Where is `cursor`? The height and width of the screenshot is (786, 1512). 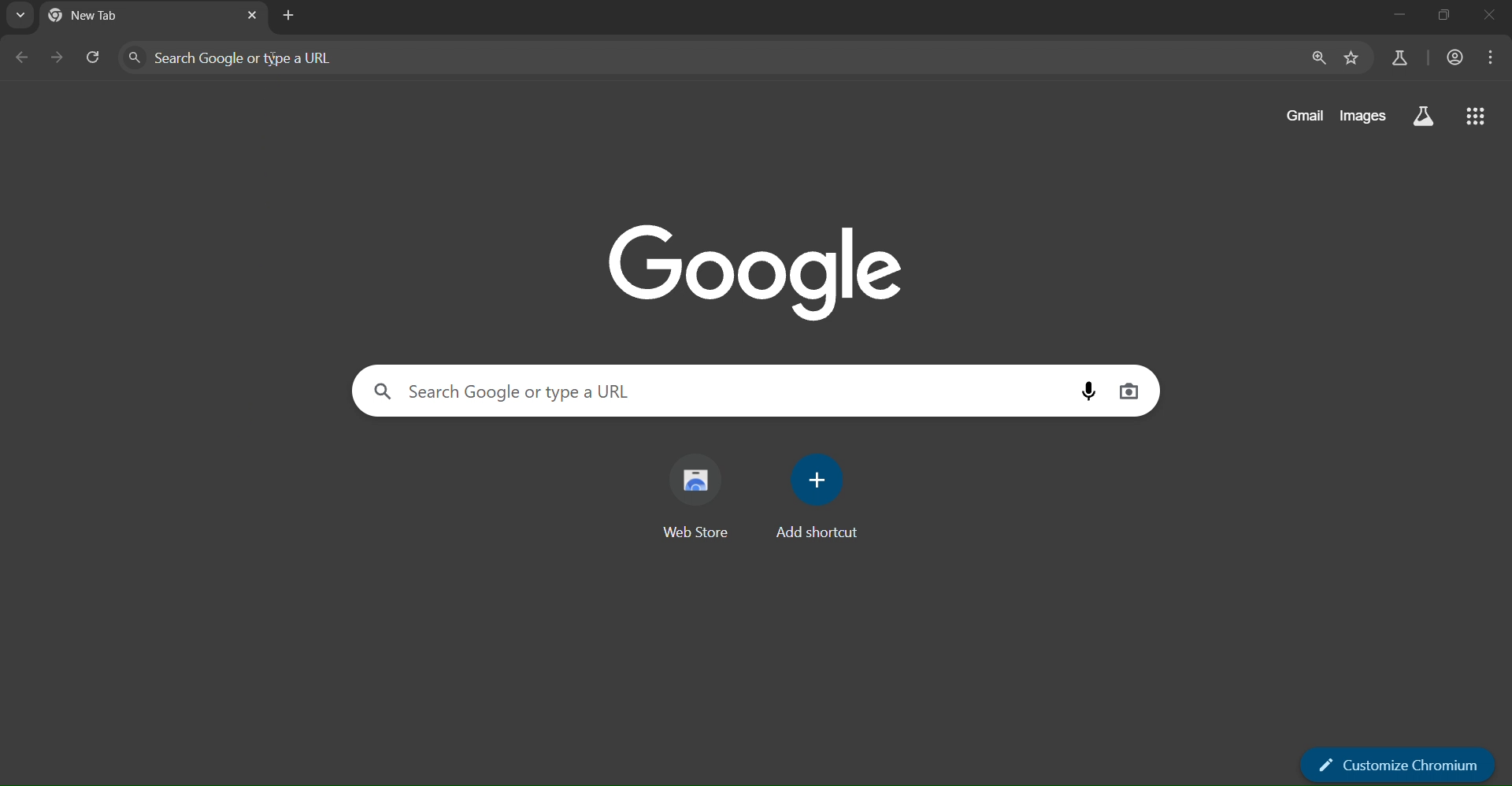
cursor is located at coordinates (275, 61).